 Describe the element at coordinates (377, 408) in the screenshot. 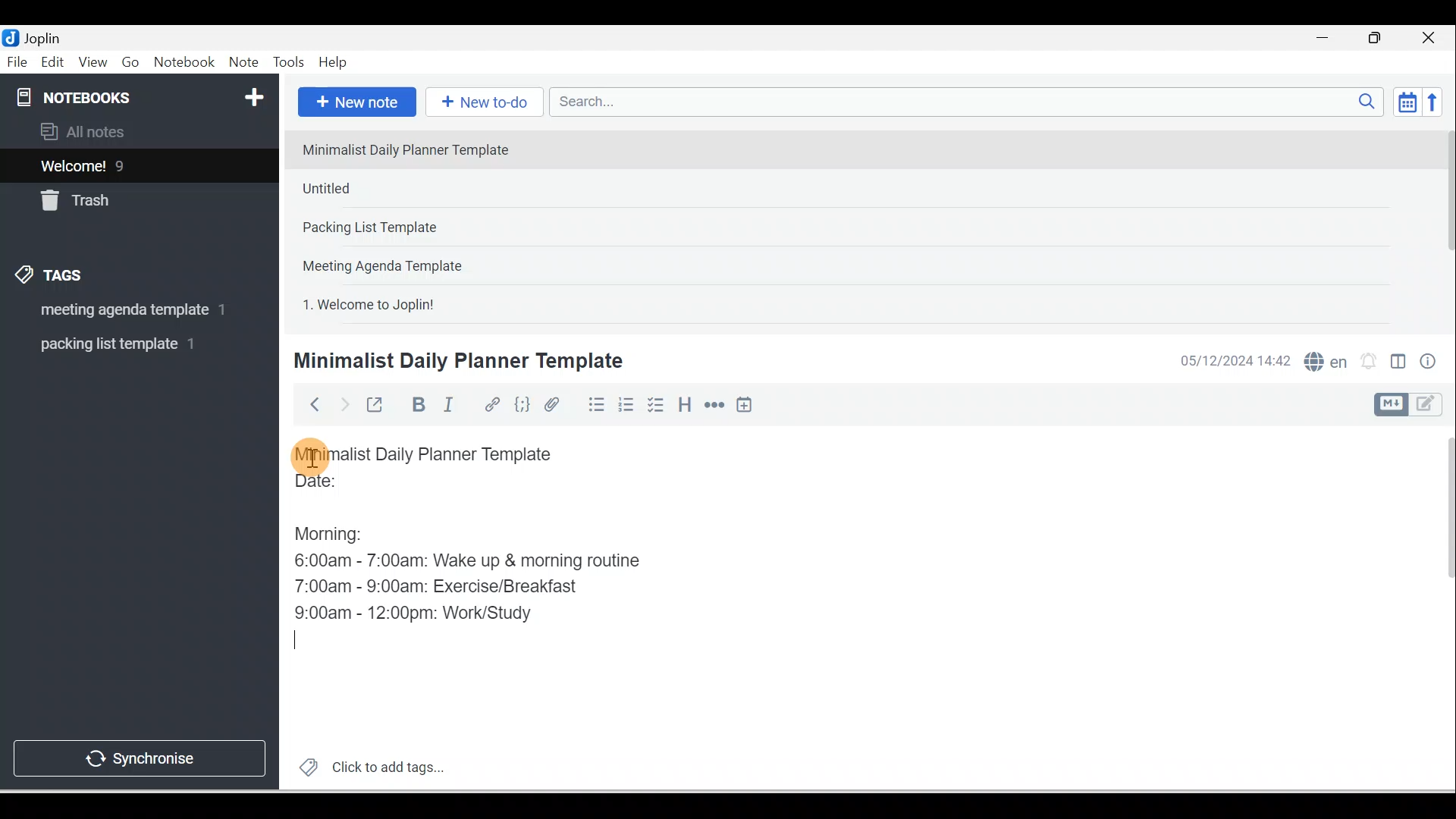

I see `Toggle external editing` at that location.